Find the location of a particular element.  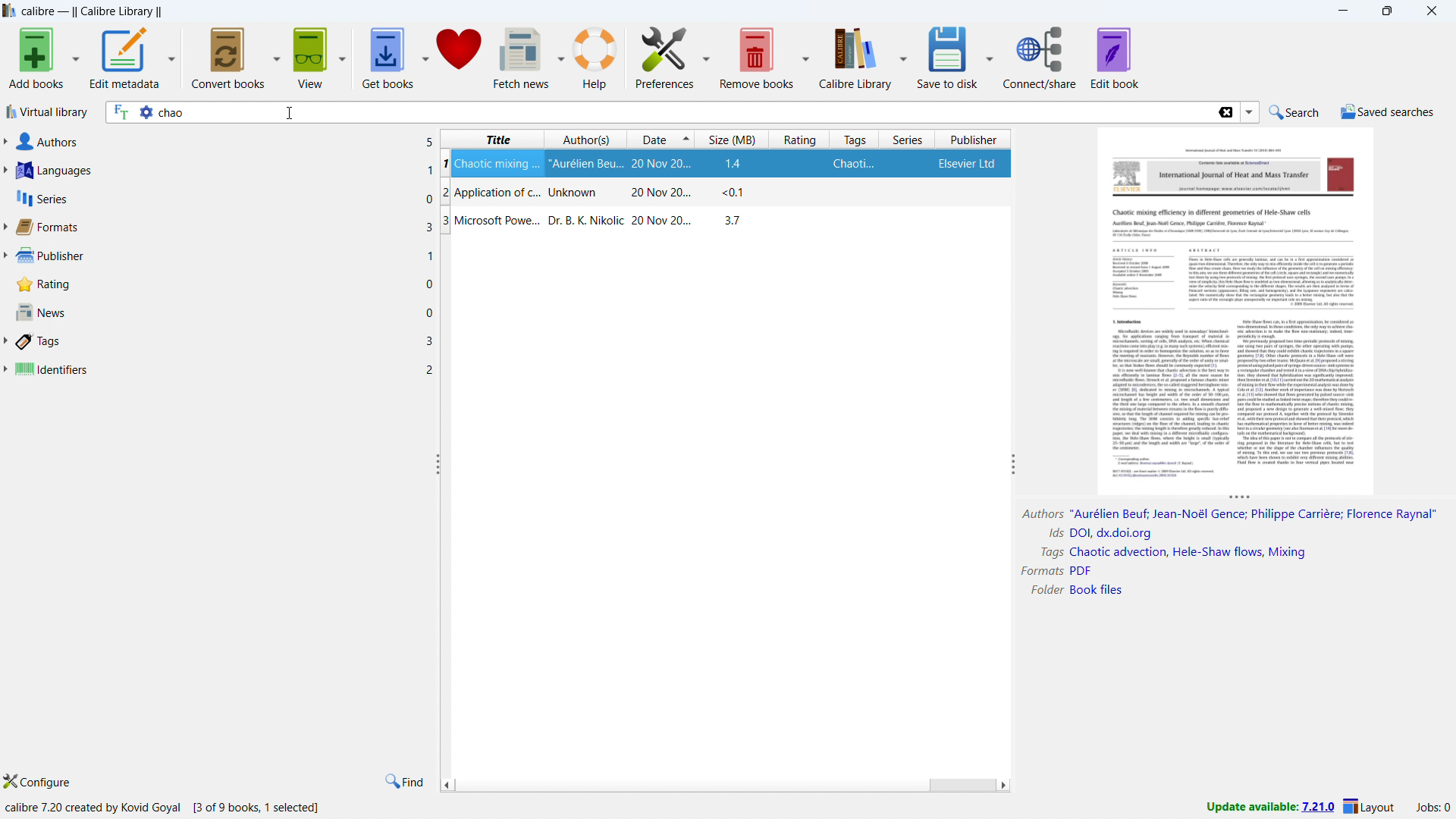

sort by series is located at coordinates (910, 139).